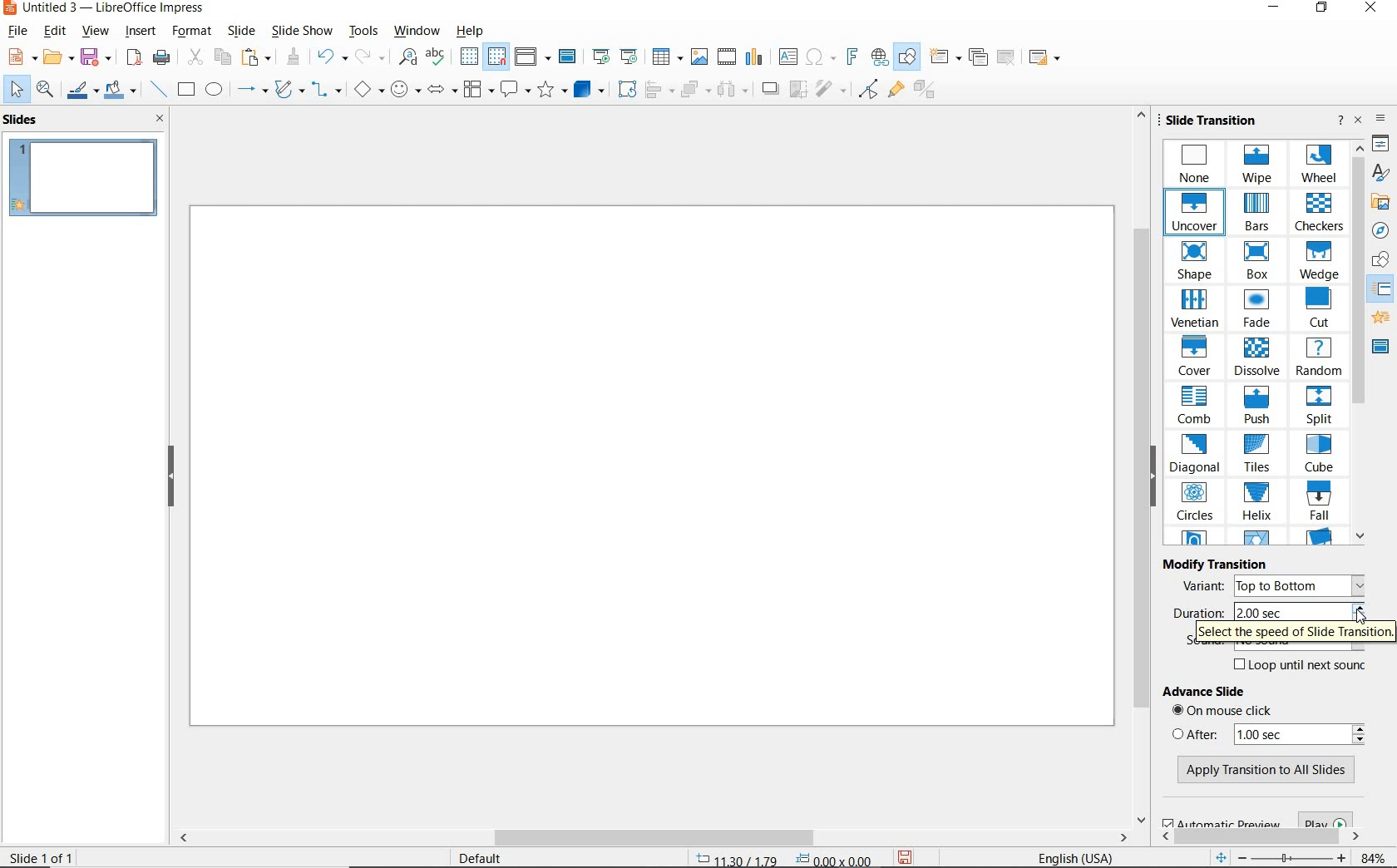 The width and height of the screenshot is (1397, 868). What do you see at coordinates (590, 89) in the screenshot?
I see `3D OBJECTS` at bounding box center [590, 89].